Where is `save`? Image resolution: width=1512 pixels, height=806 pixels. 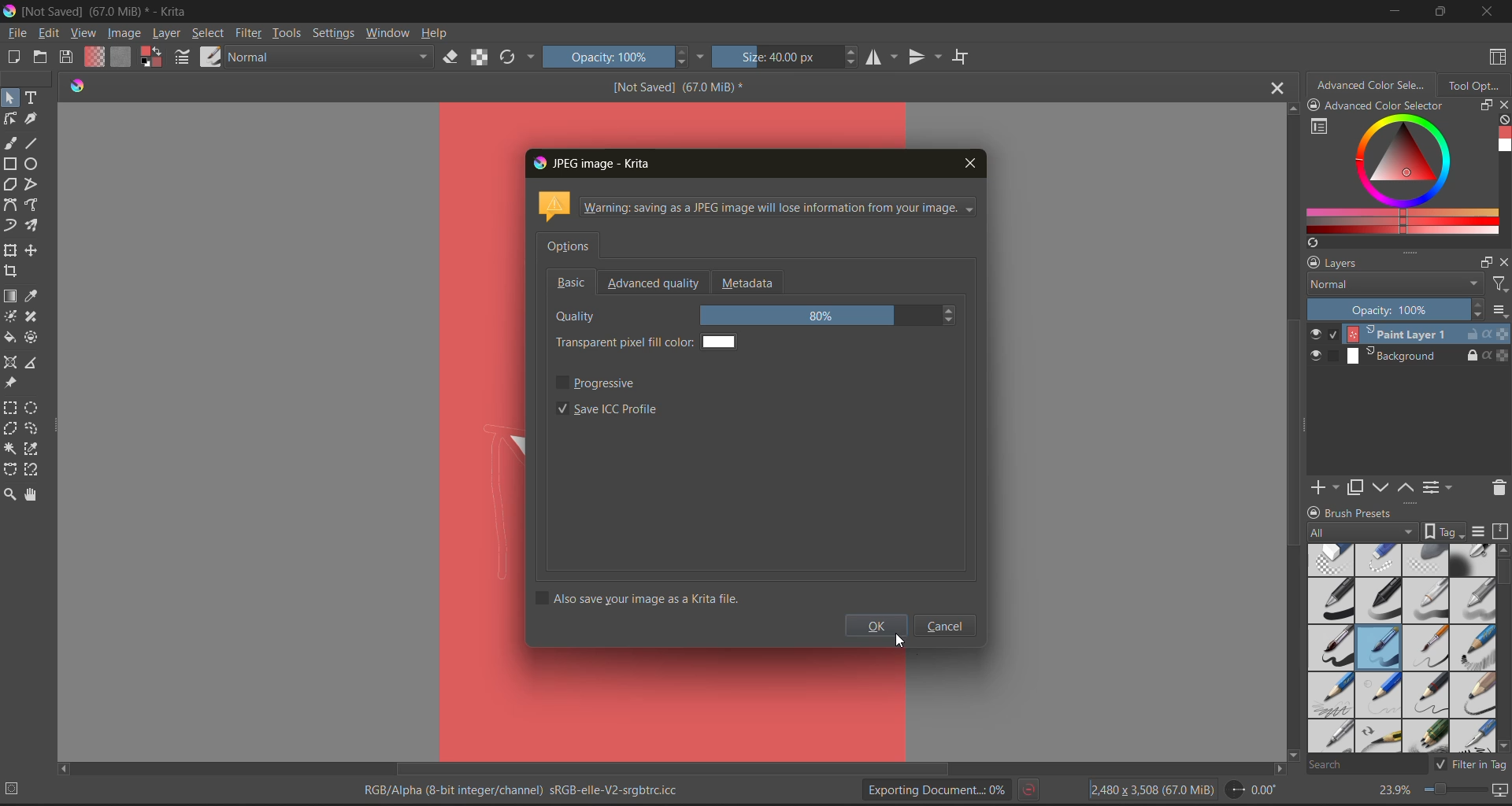 save is located at coordinates (69, 55).